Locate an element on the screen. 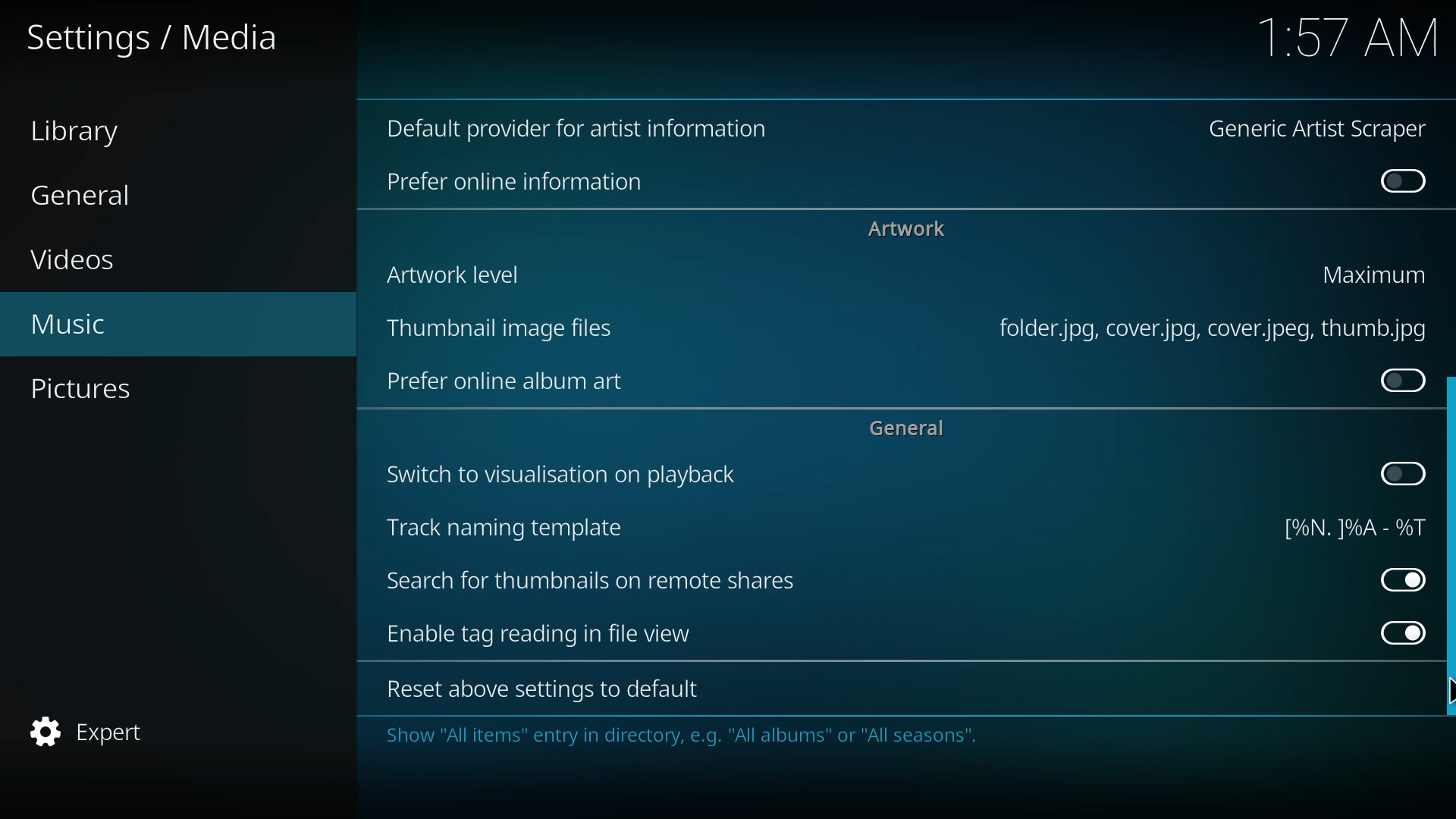 This screenshot has width=1456, height=819. prefer online art is located at coordinates (503, 383).